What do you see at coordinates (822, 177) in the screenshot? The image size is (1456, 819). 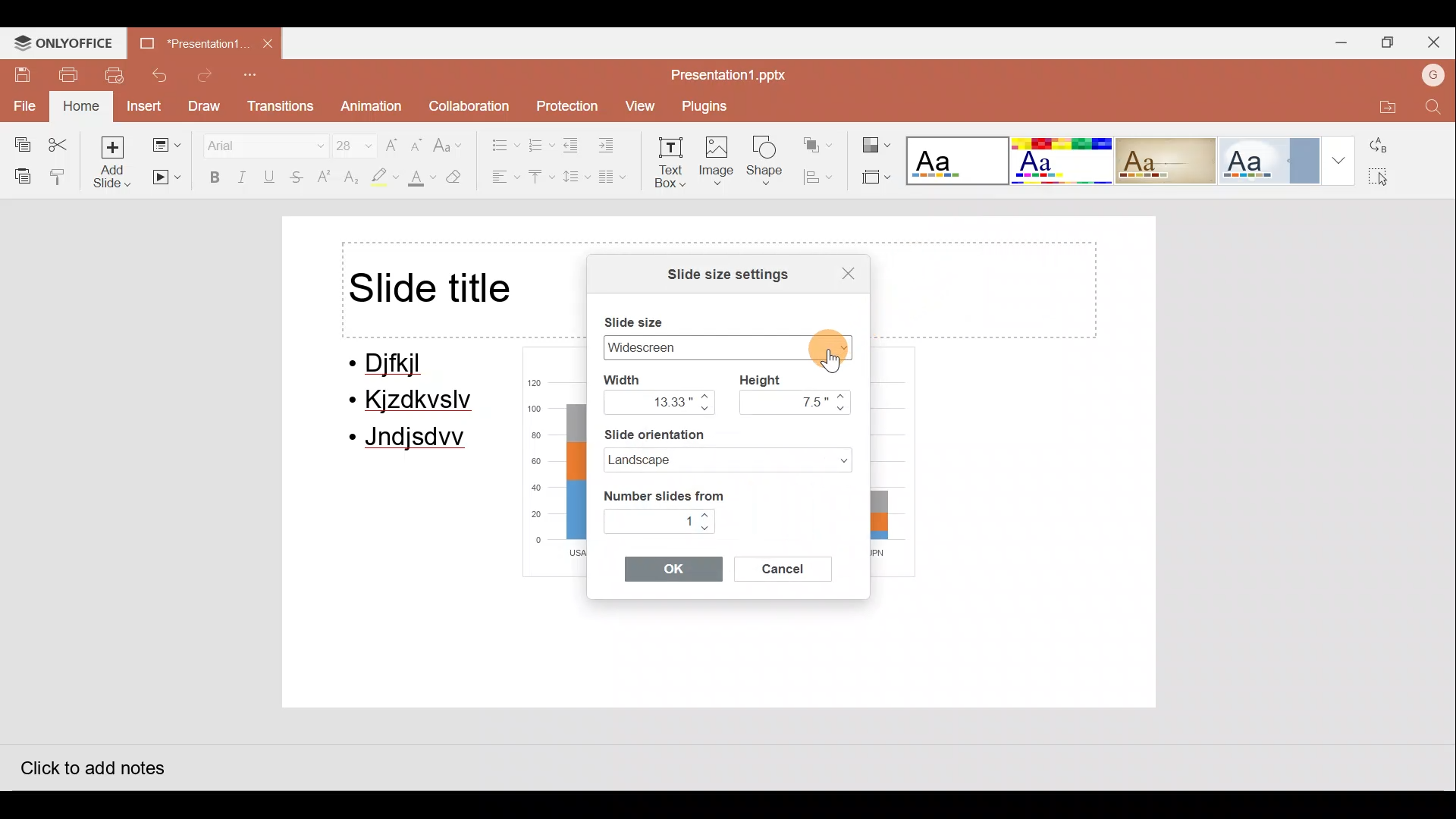 I see `Align shape` at bounding box center [822, 177].